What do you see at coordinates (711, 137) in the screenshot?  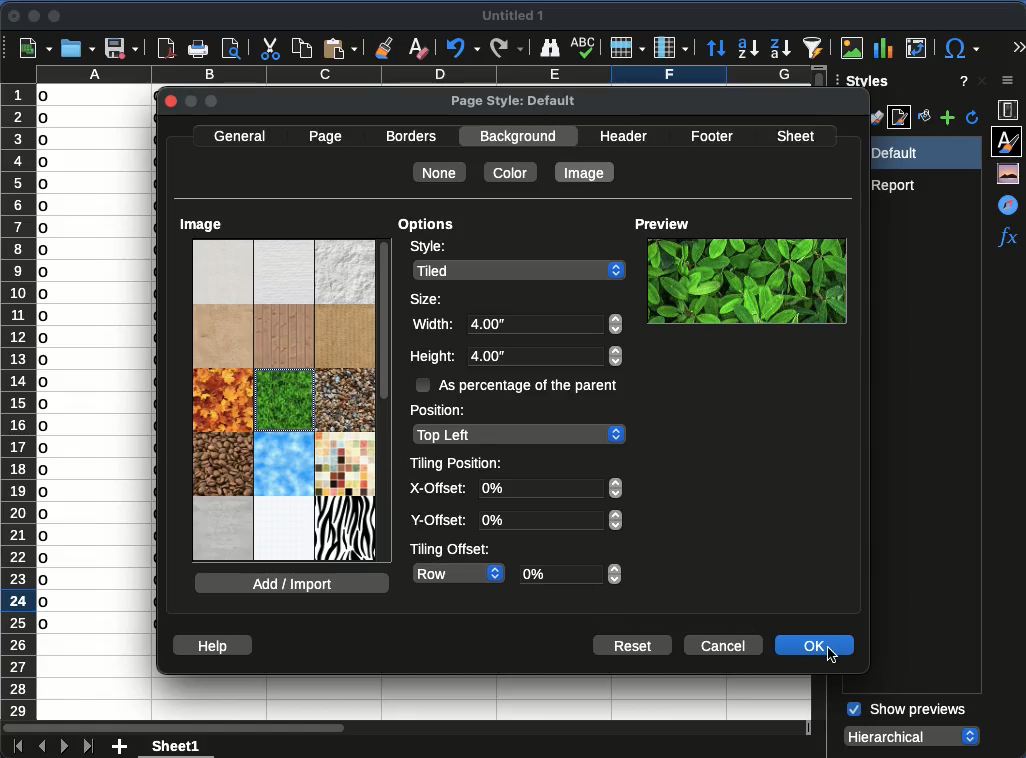 I see `footer` at bounding box center [711, 137].